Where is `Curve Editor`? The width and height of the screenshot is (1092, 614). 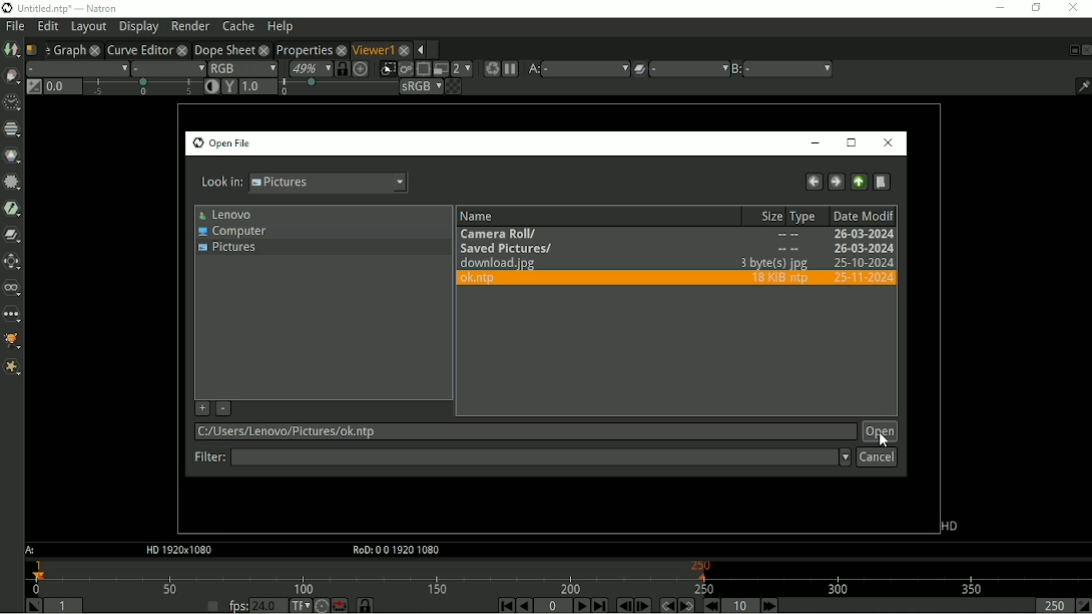 Curve Editor is located at coordinates (138, 48).